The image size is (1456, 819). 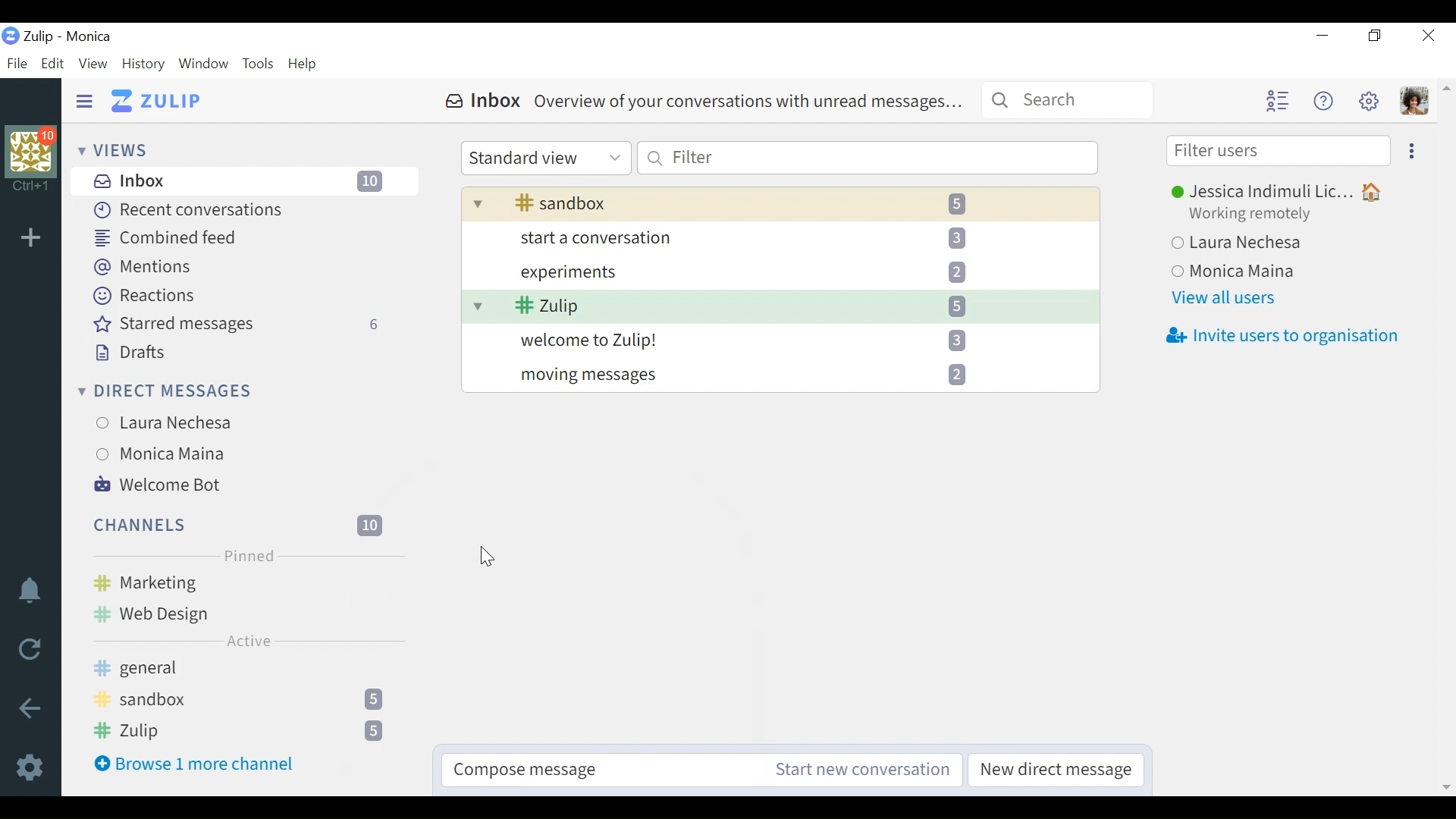 What do you see at coordinates (147, 296) in the screenshot?
I see `Reactions` at bounding box center [147, 296].